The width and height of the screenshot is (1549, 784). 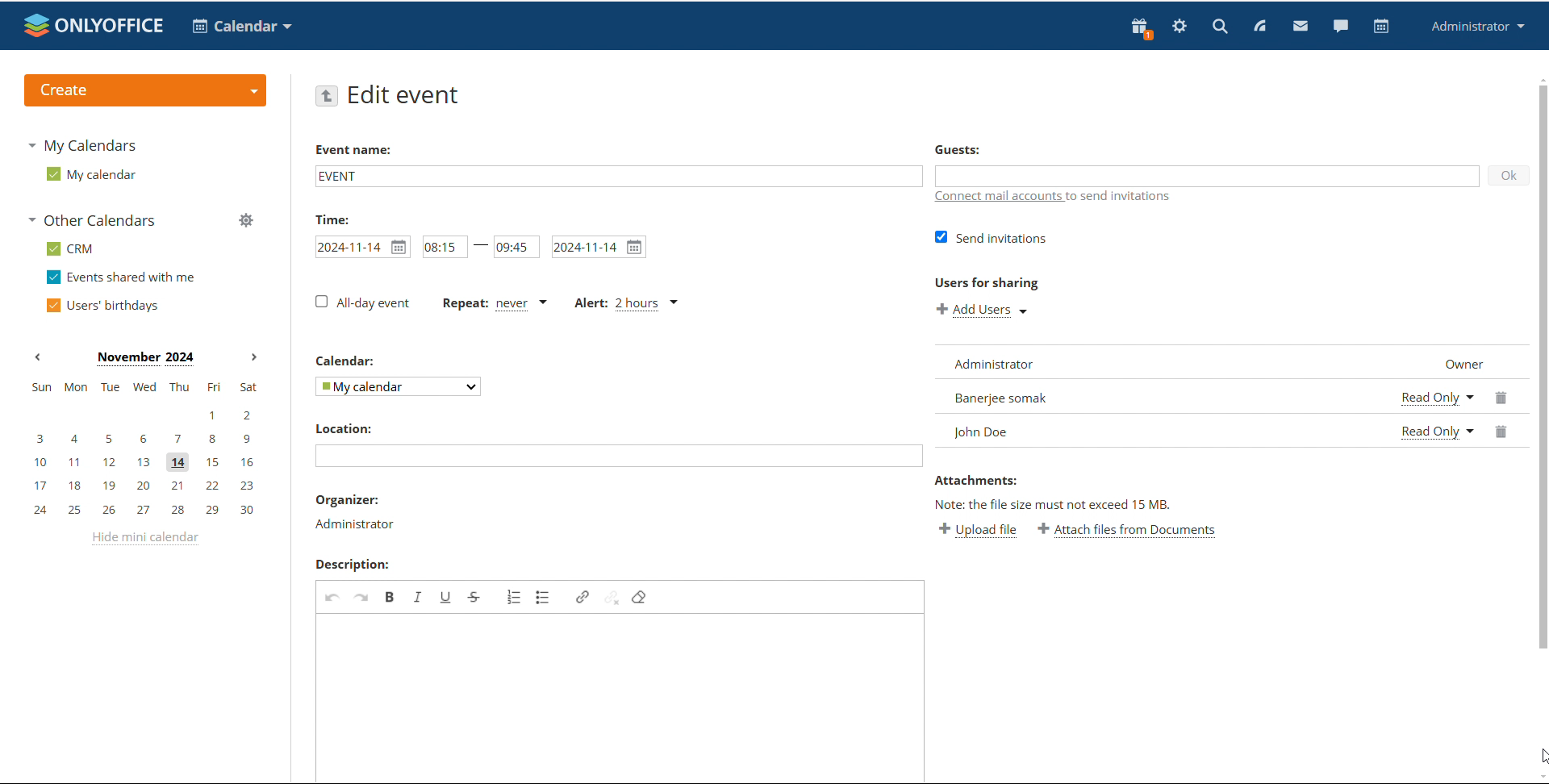 I want to click on add locaton, so click(x=619, y=456).